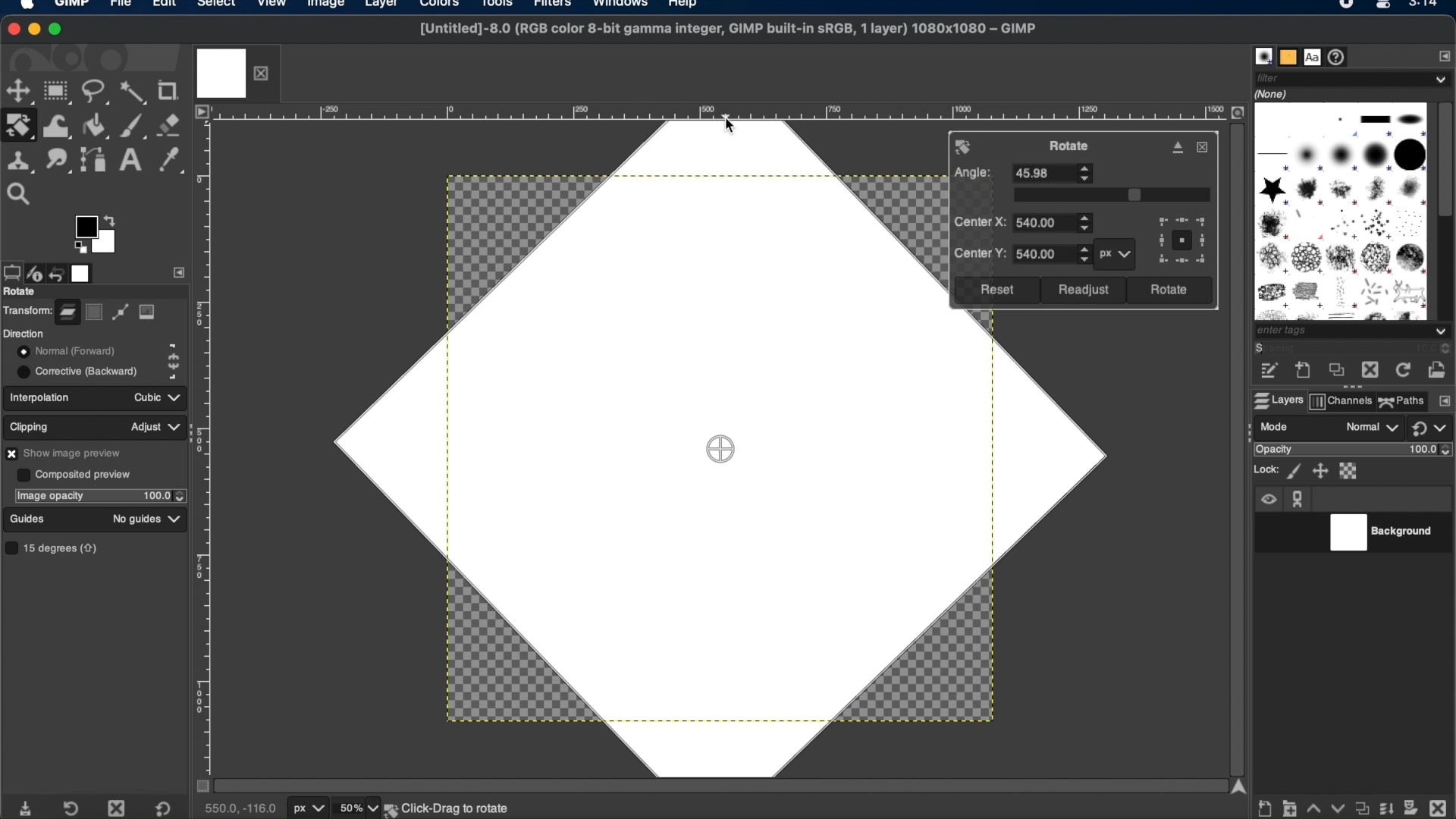 Image resolution: width=1456 pixels, height=819 pixels. Describe the element at coordinates (155, 427) in the screenshot. I see `adjust dropdown` at that location.